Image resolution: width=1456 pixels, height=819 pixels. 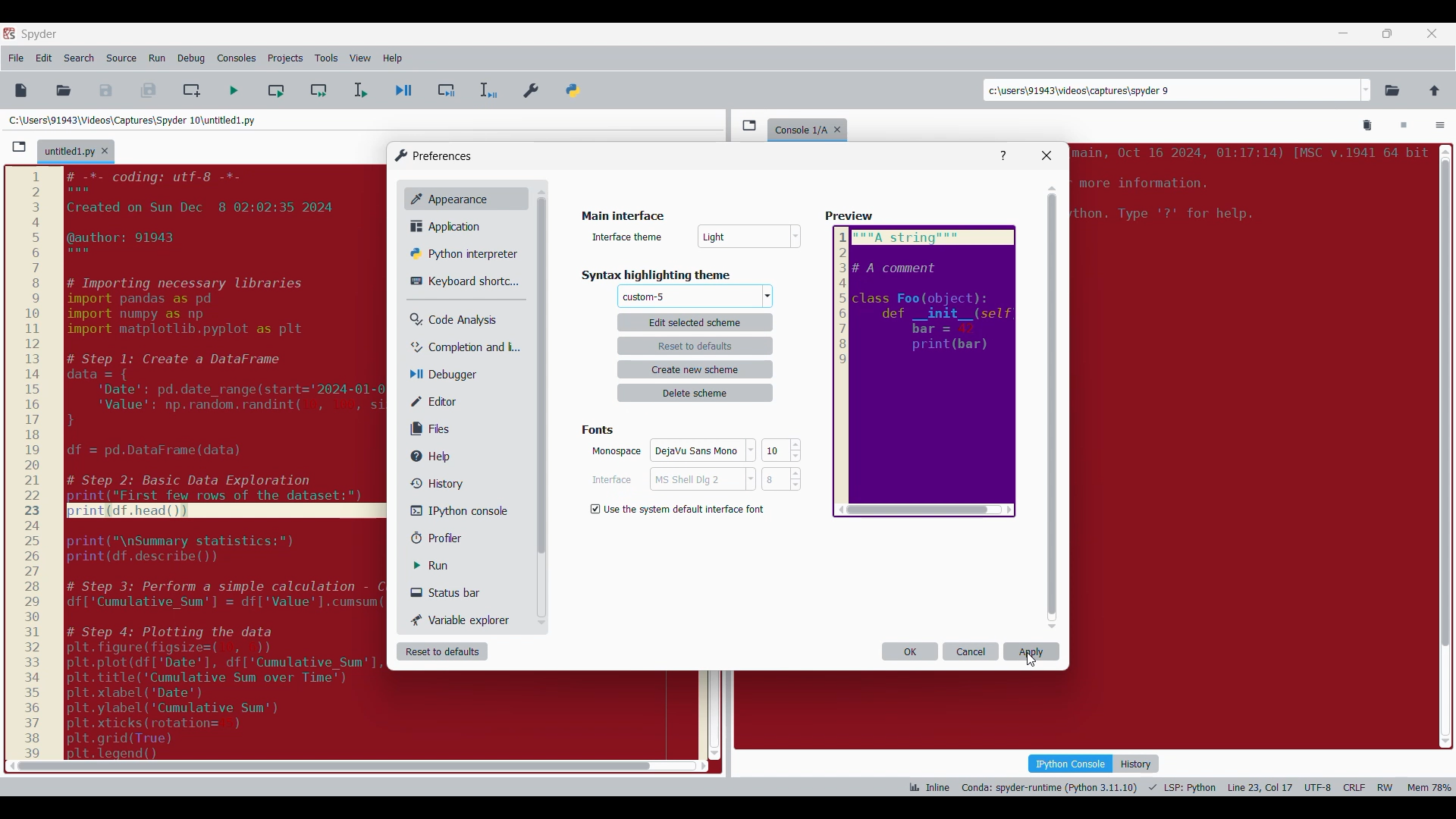 I want to click on Browse a working directory, so click(x=1392, y=90).